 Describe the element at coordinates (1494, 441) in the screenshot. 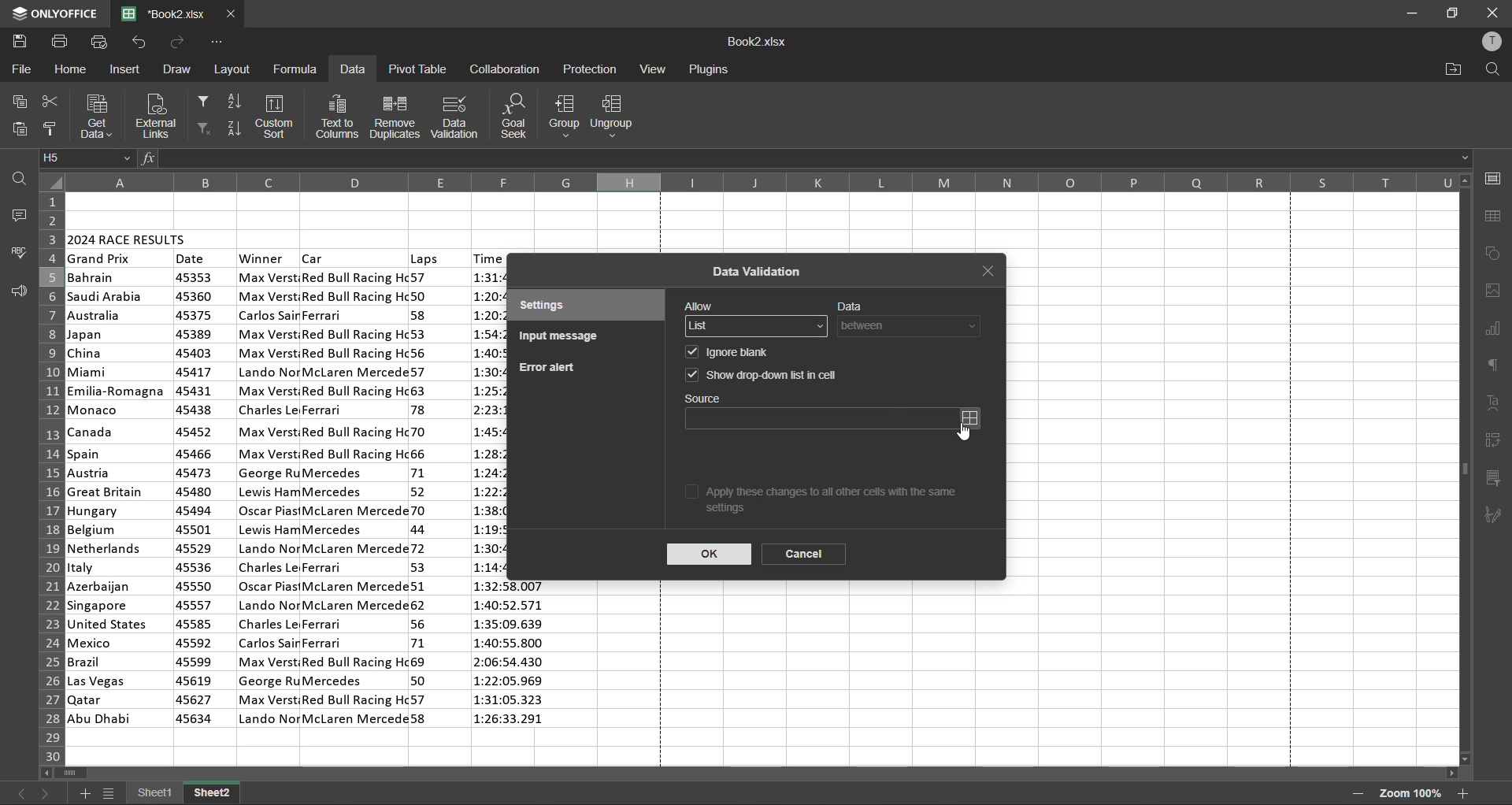

I see `pivot table` at that location.